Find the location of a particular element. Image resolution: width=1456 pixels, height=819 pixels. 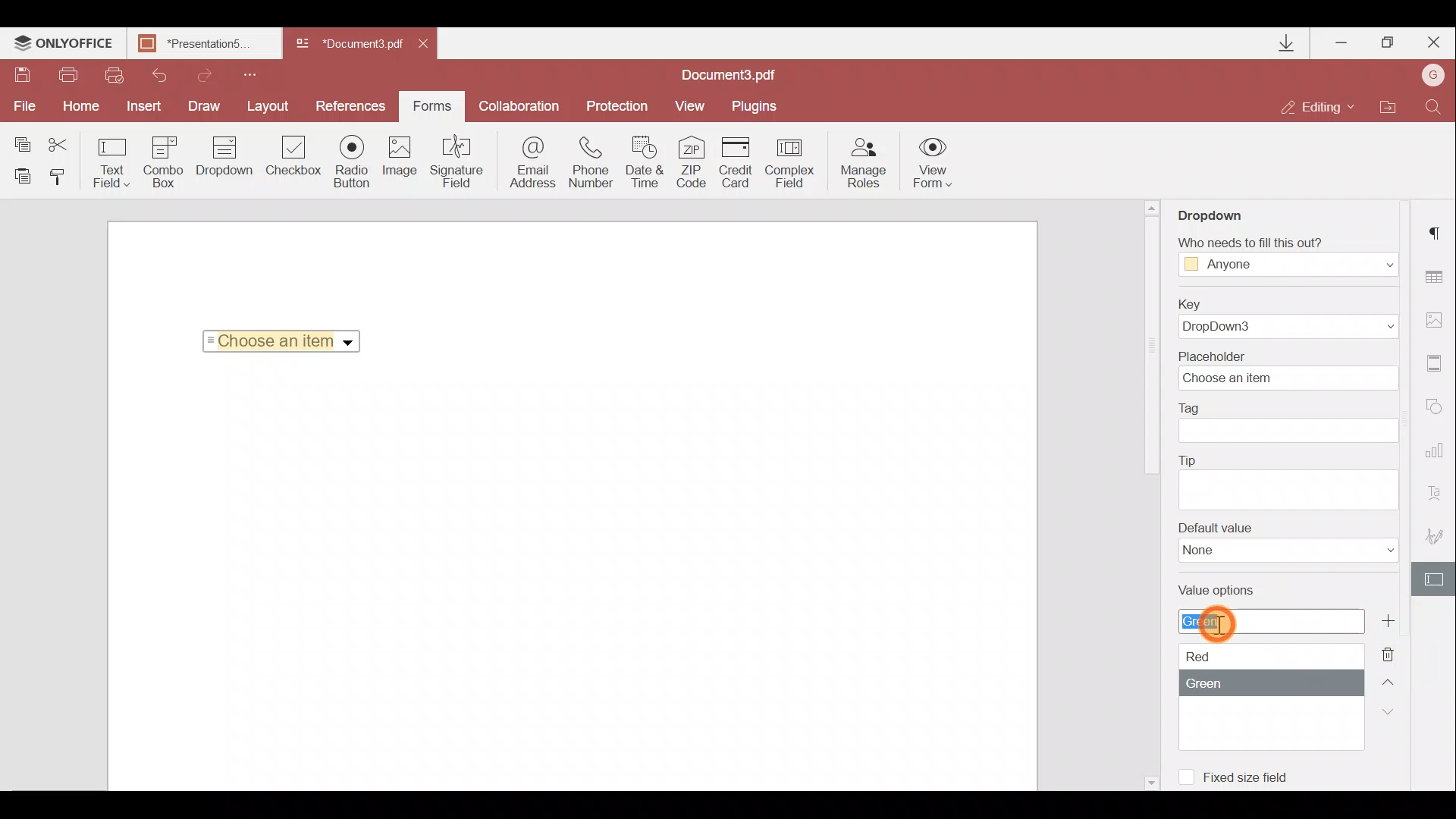

Down is located at coordinates (1385, 711).